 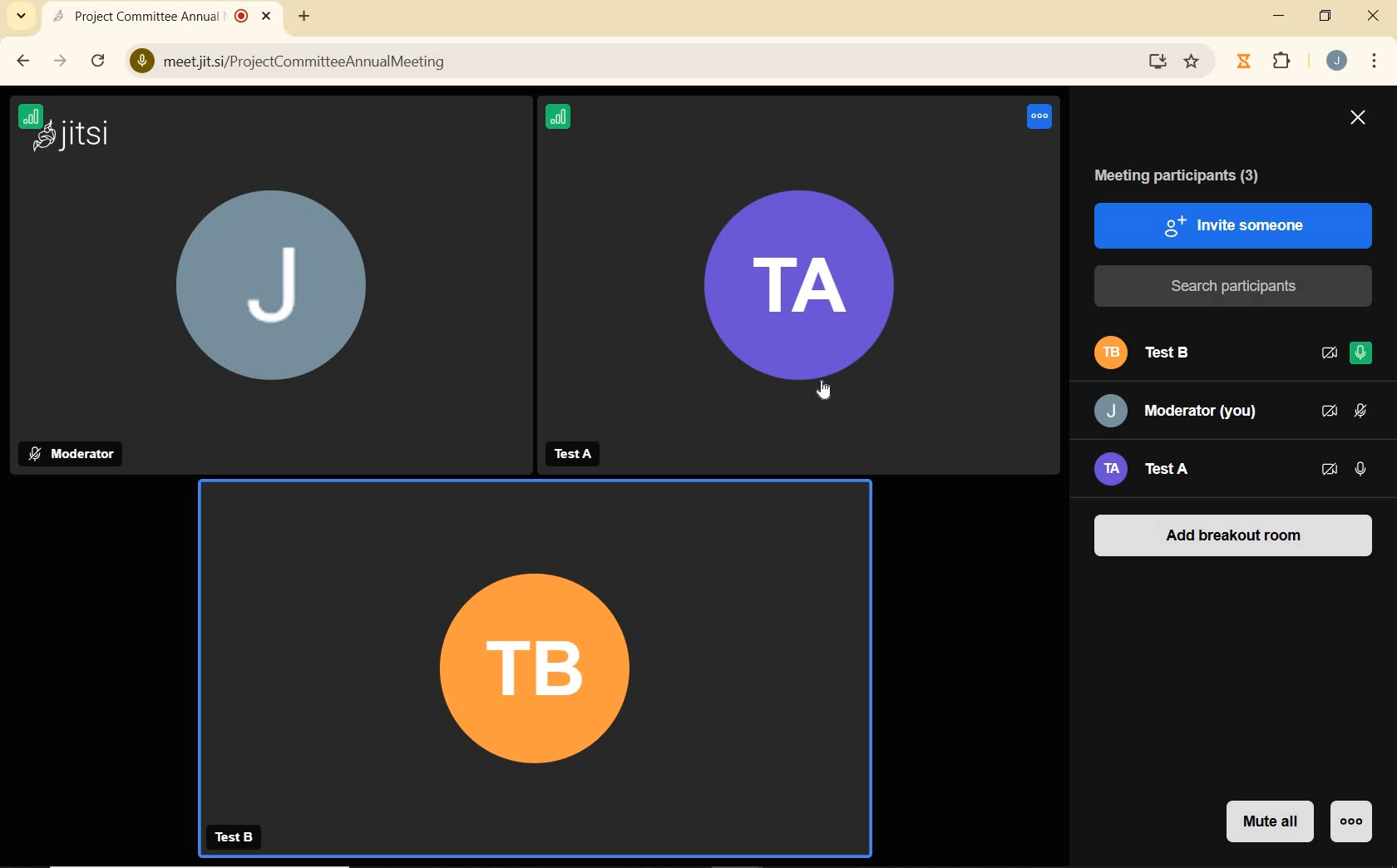 What do you see at coordinates (1188, 175) in the screenshot?
I see `MEETING PARTICIPANTS (3)` at bounding box center [1188, 175].